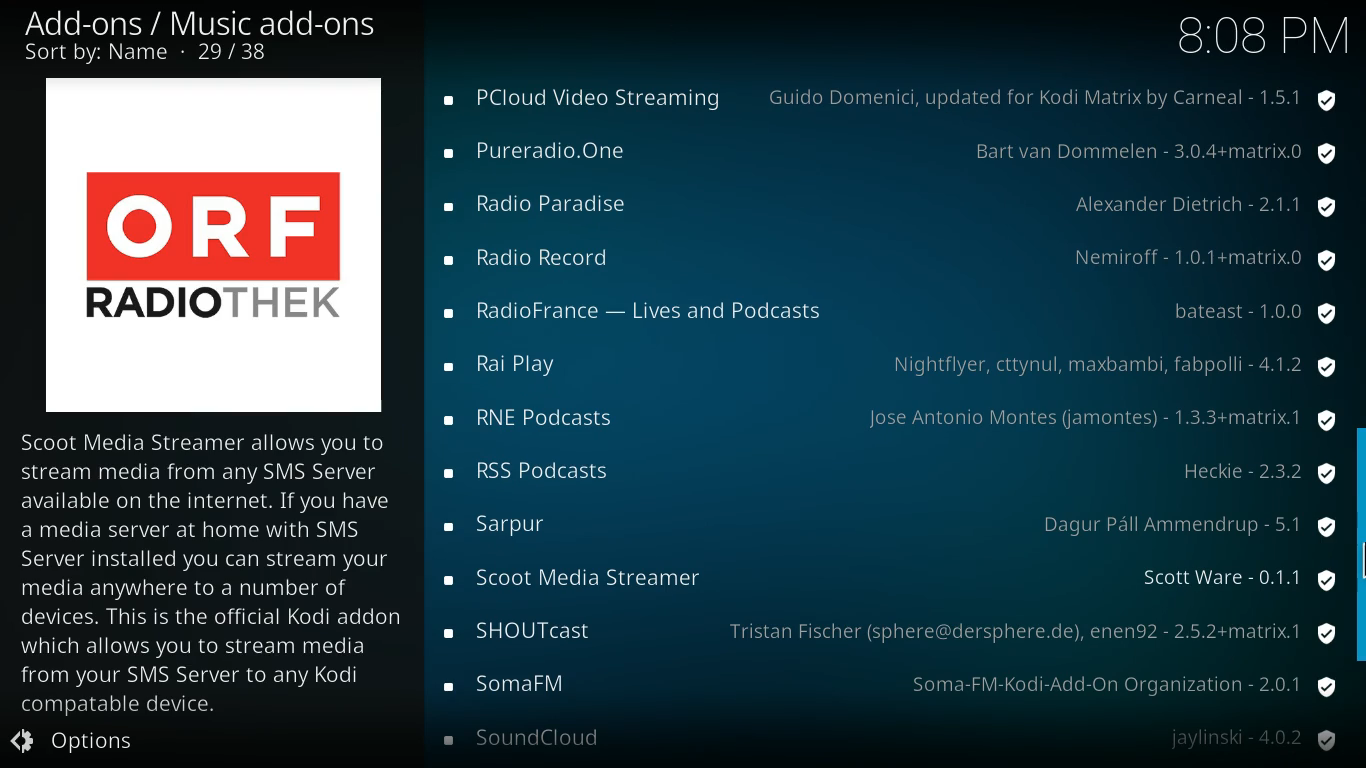 The height and width of the screenshot is (768, 1366). Describe the element at coordinates (1187, 525) in the screenshot. I see `provider` at that location.